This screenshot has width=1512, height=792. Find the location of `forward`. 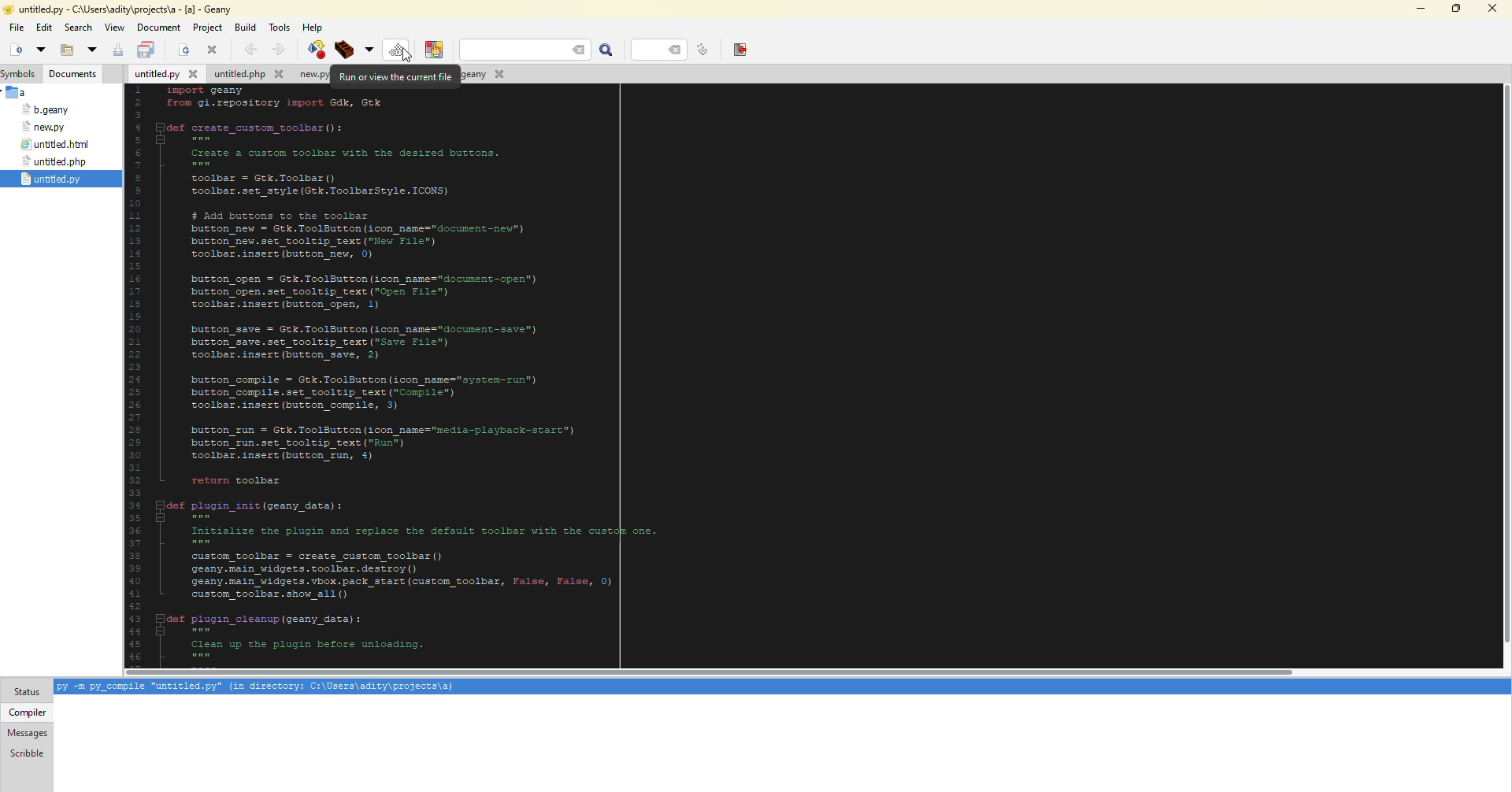

forward is located at coordinates (280, 48).